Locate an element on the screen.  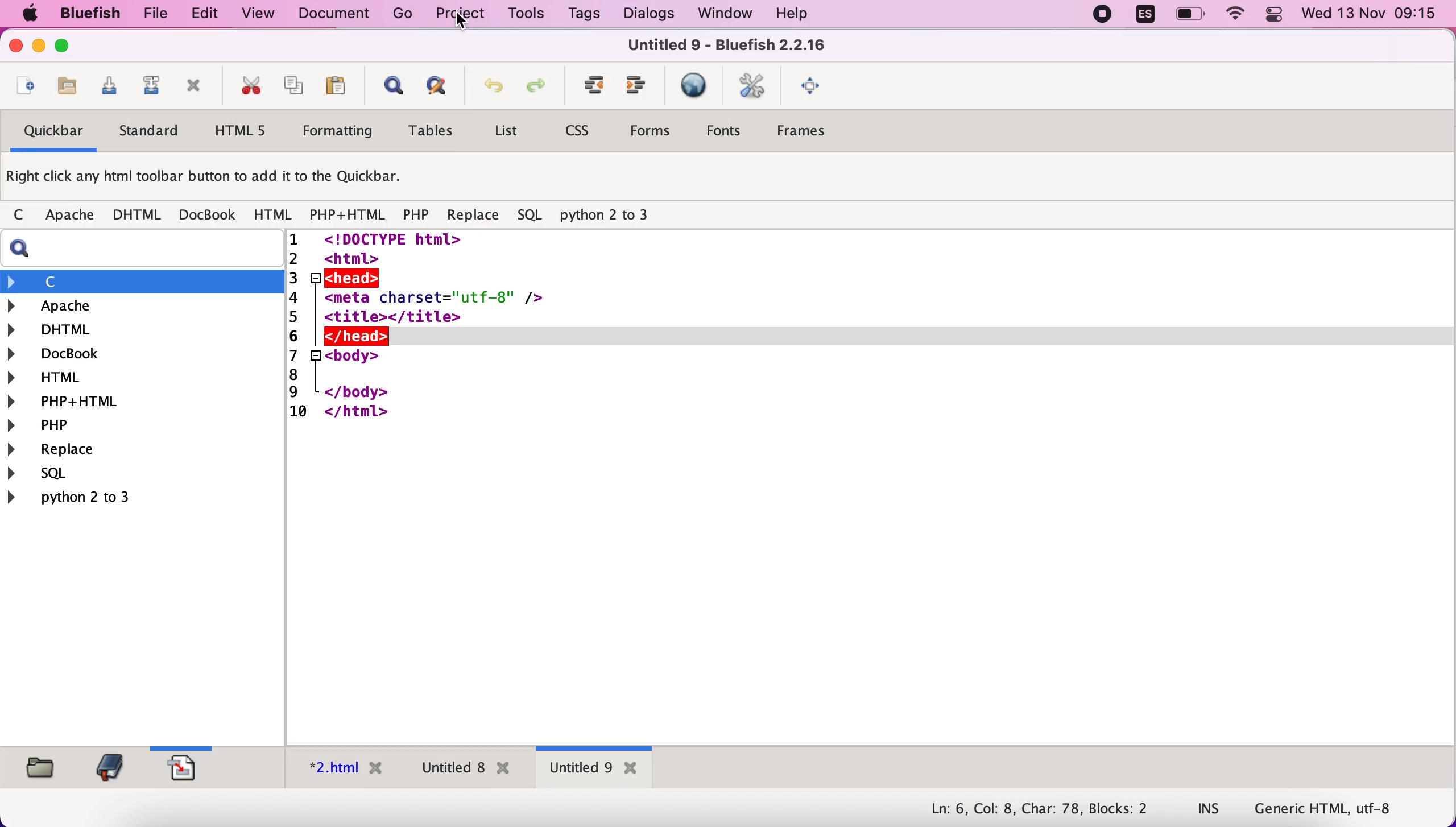
php is located at coordinates (417, 216).